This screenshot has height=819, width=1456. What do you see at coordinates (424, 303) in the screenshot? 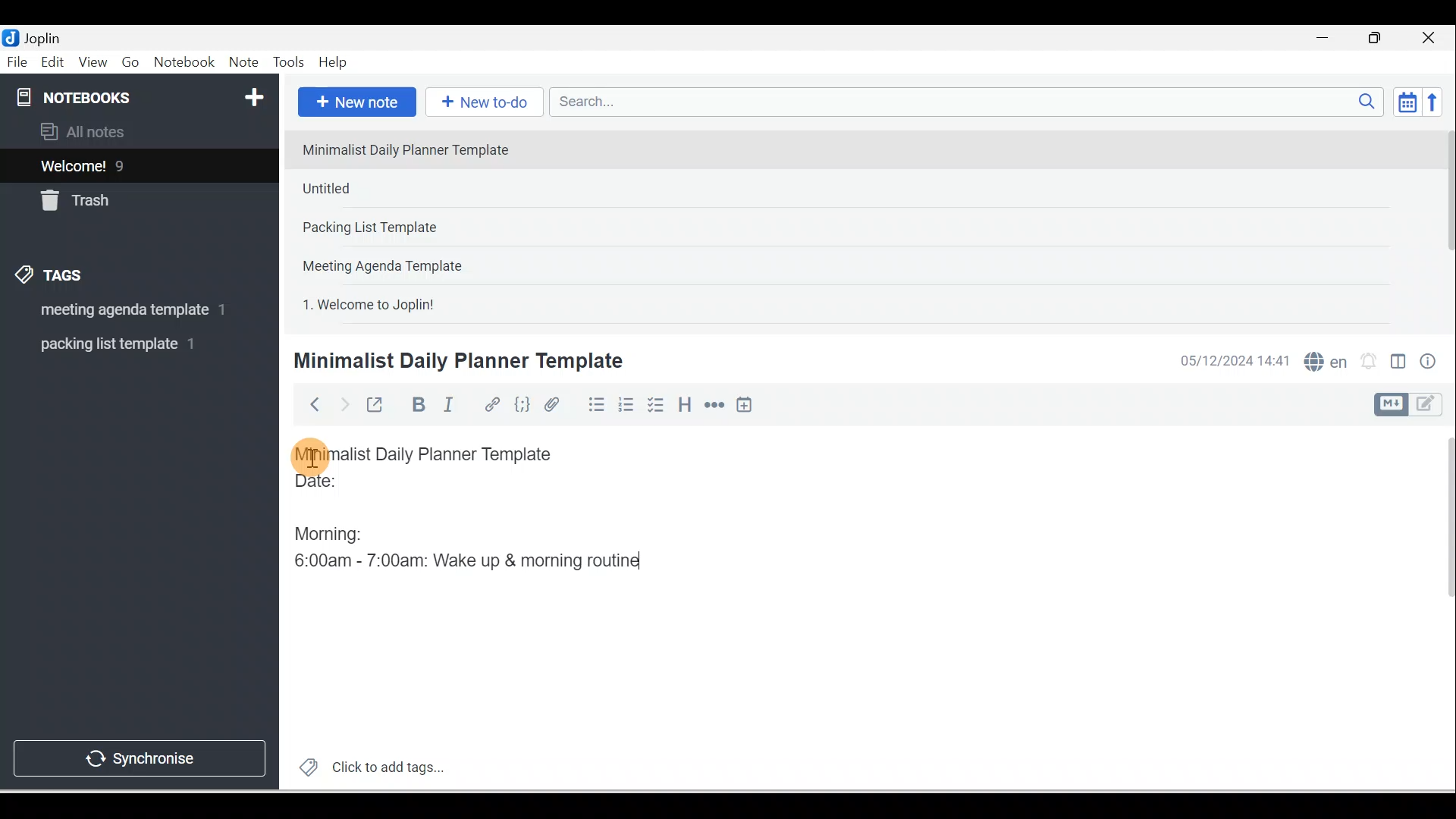
I see `Note 5` at bounding box center [424, 303].